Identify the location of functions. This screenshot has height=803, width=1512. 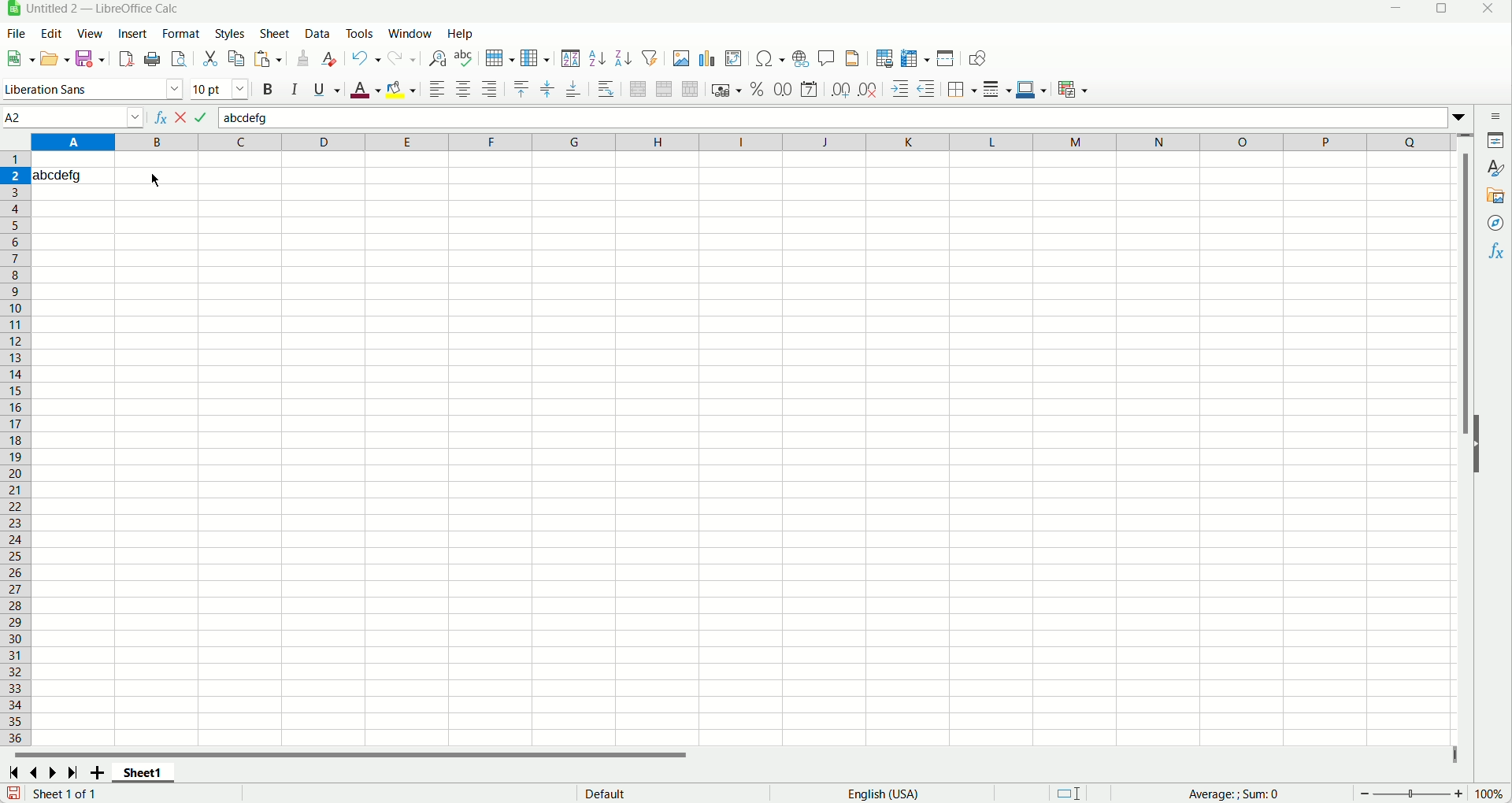
(1496, 253).